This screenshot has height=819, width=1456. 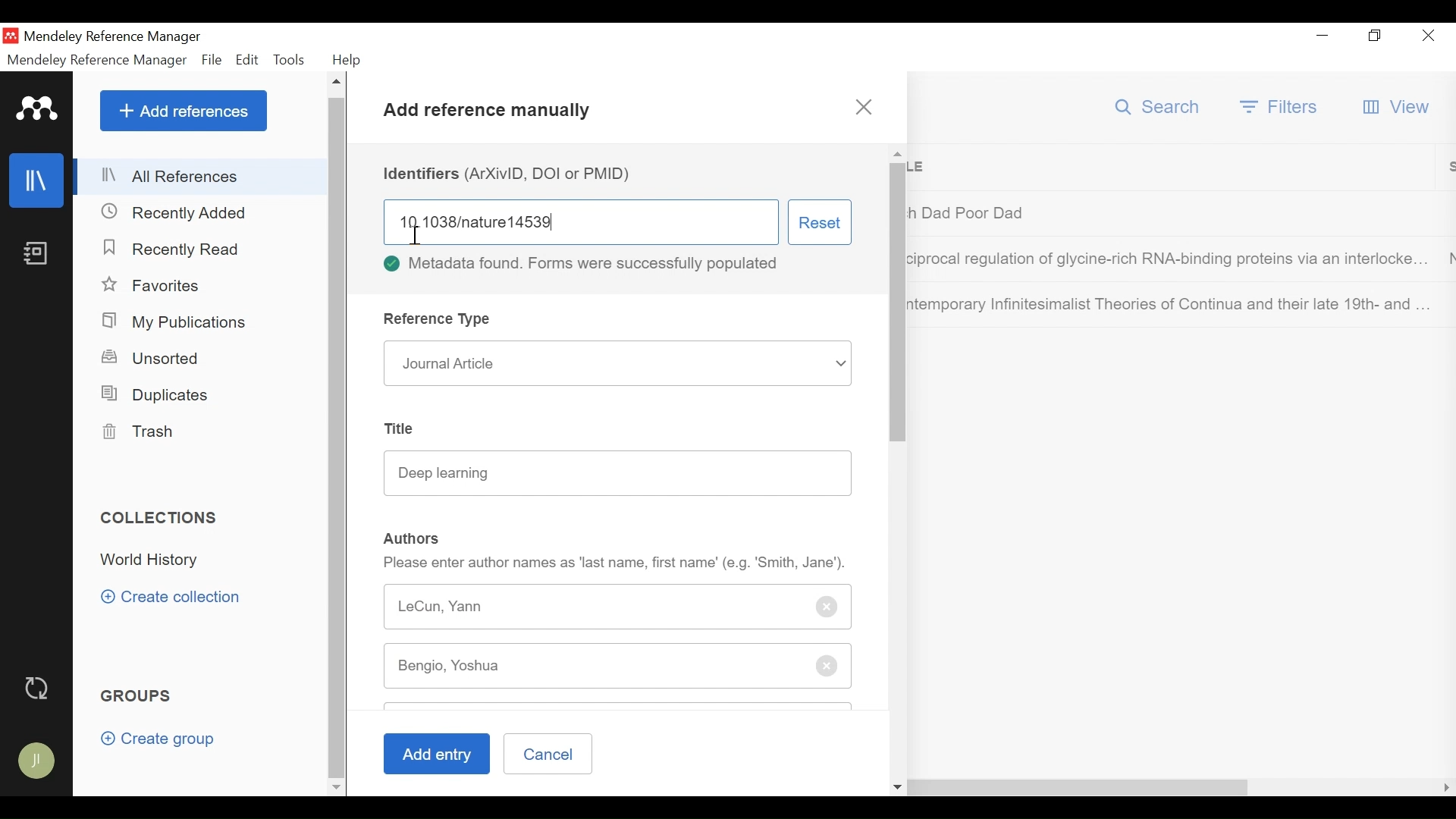 What do you see at coordinates (1323, 36) in the screenshot?
I see `minimize` at bounding box center [1323, 36].